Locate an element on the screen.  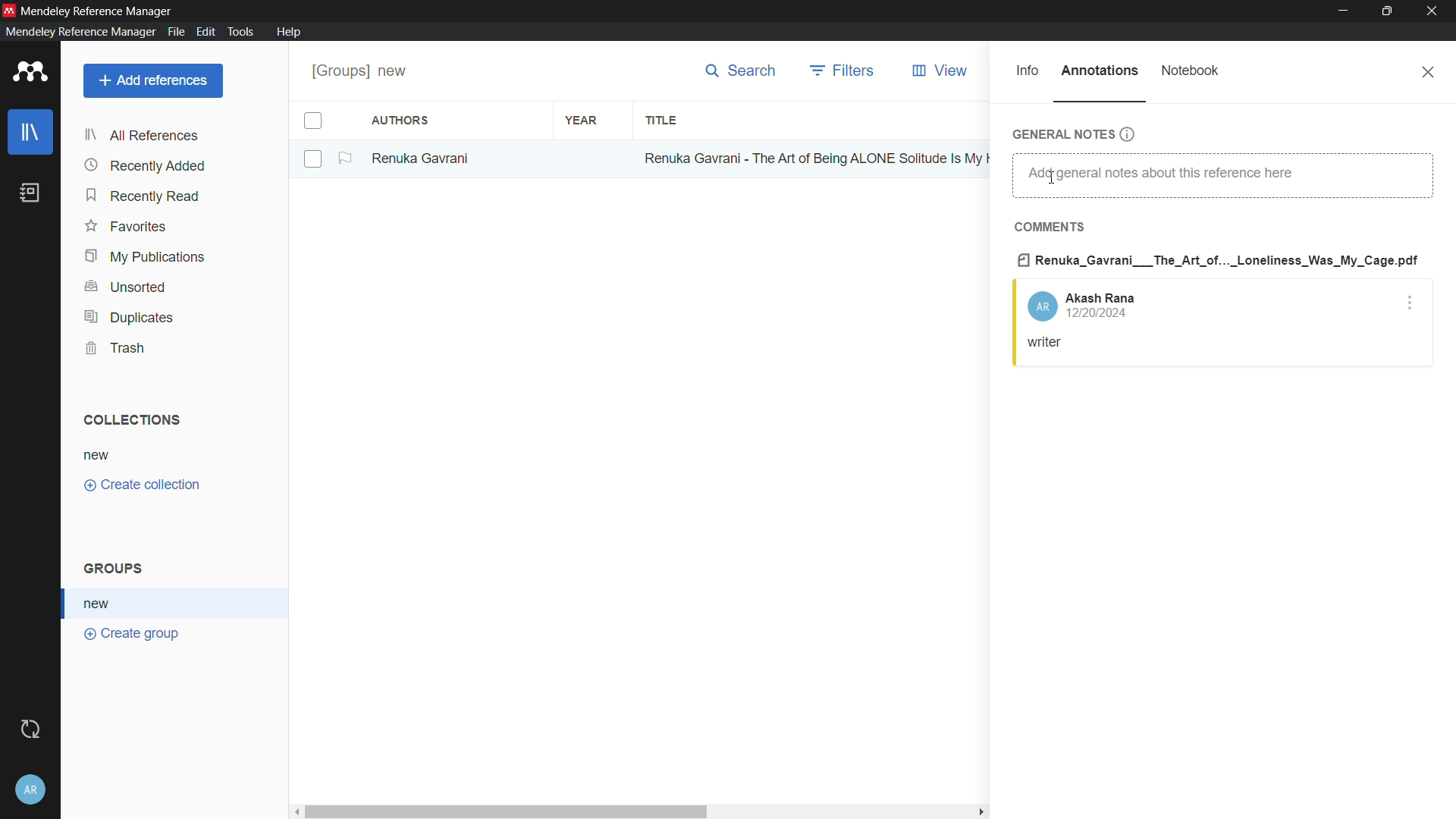
maximize is located at coordinates (1389, 11).